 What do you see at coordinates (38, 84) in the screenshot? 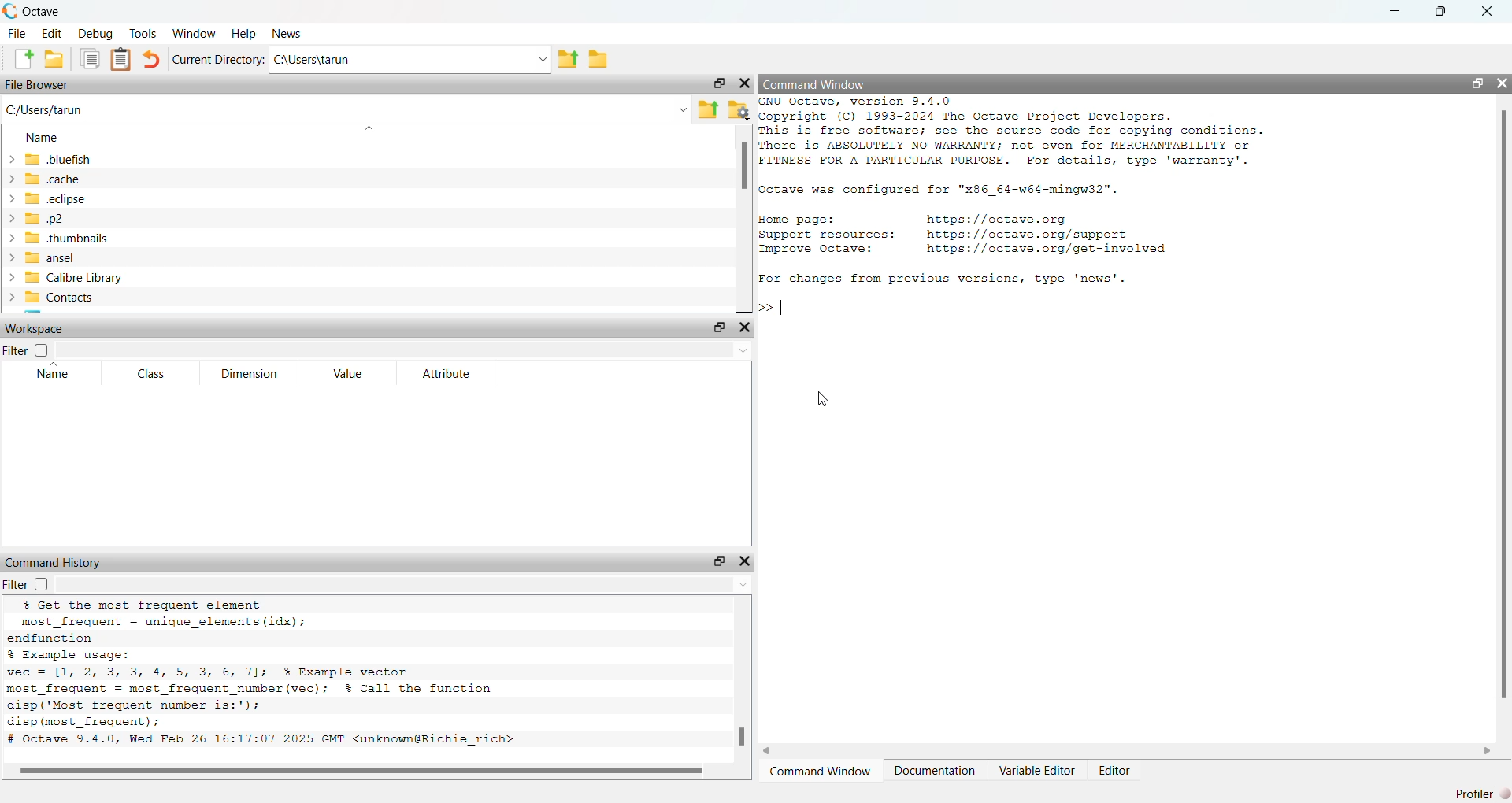
I see `File Browser` at bounding box center [38, 84].